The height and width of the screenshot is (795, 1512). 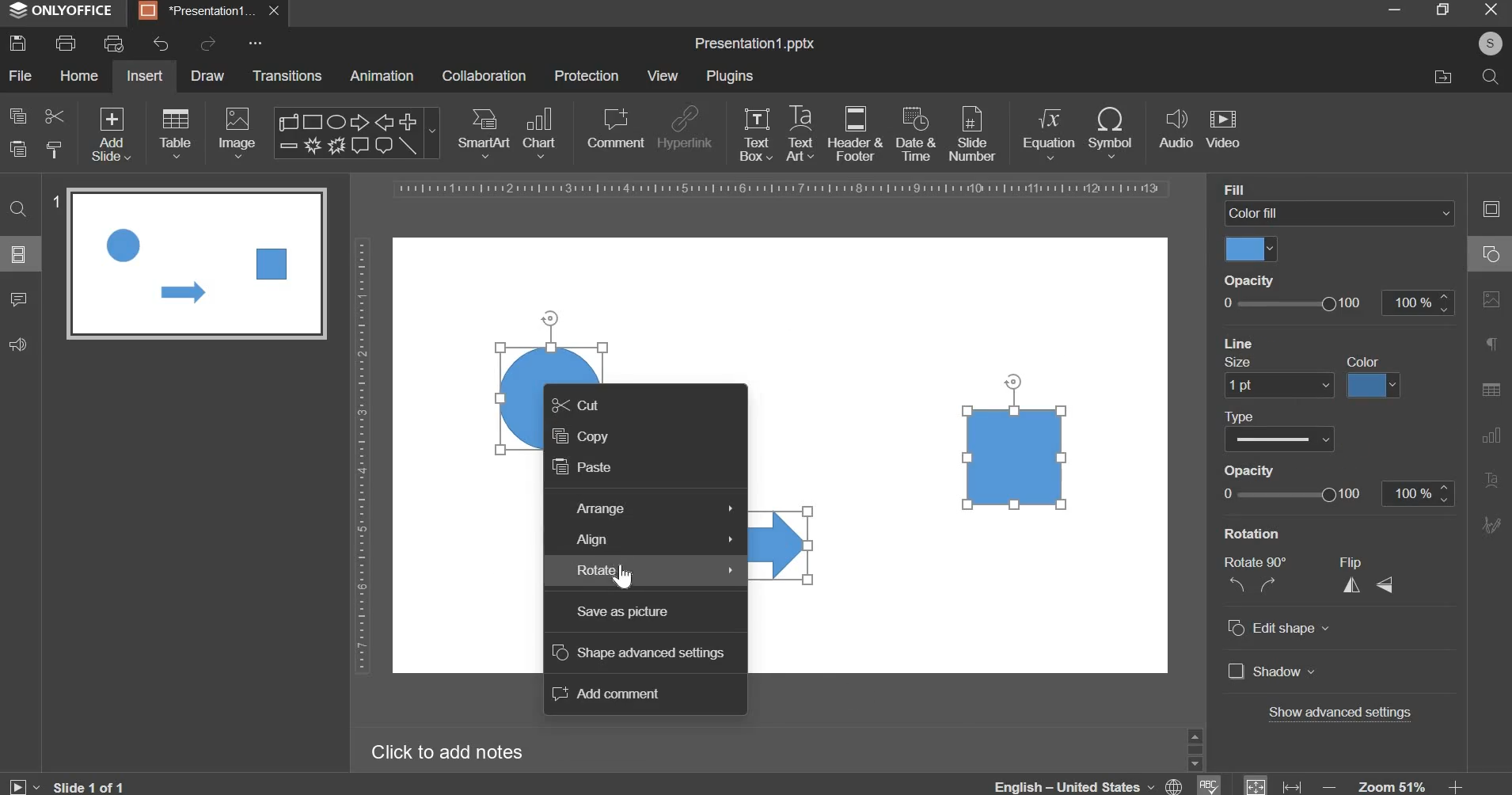 I want to click on table setting, so click(x=1491, y=389).